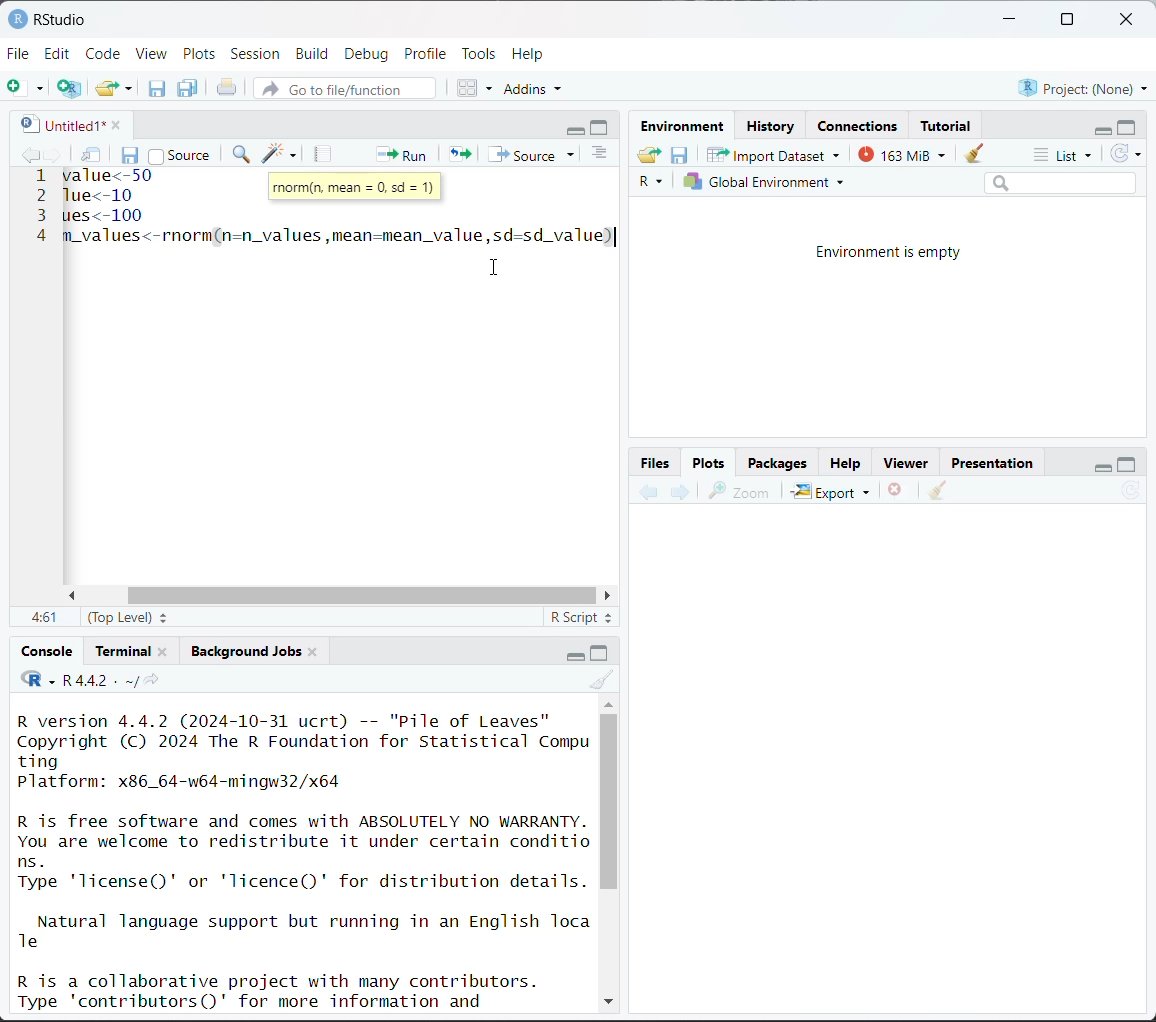 The height and width of the screenshot is (1022, 1156). I want to click on minimize, so click(571, 654).